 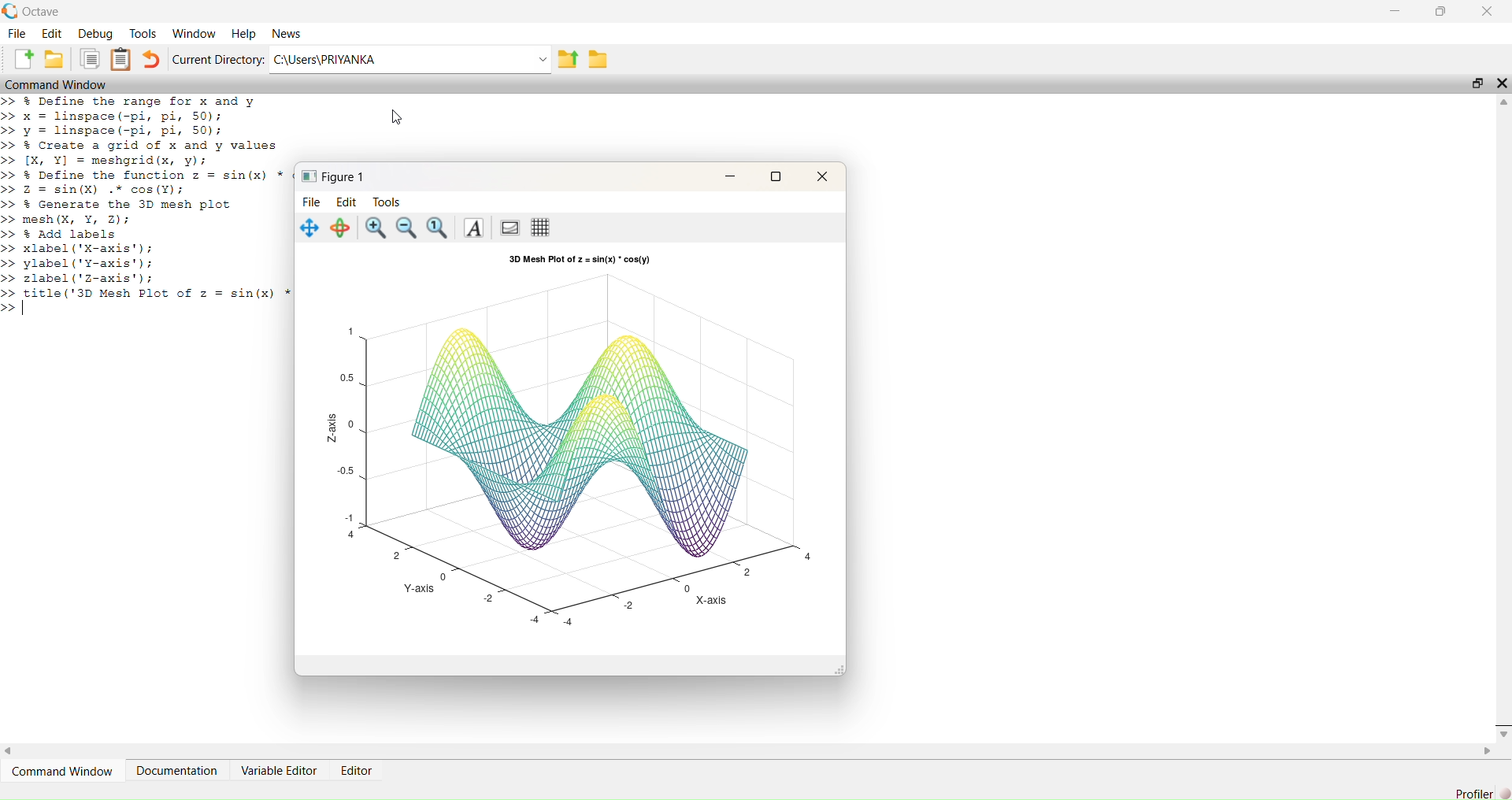 I want to click on Help, so click(x=244, y=35).